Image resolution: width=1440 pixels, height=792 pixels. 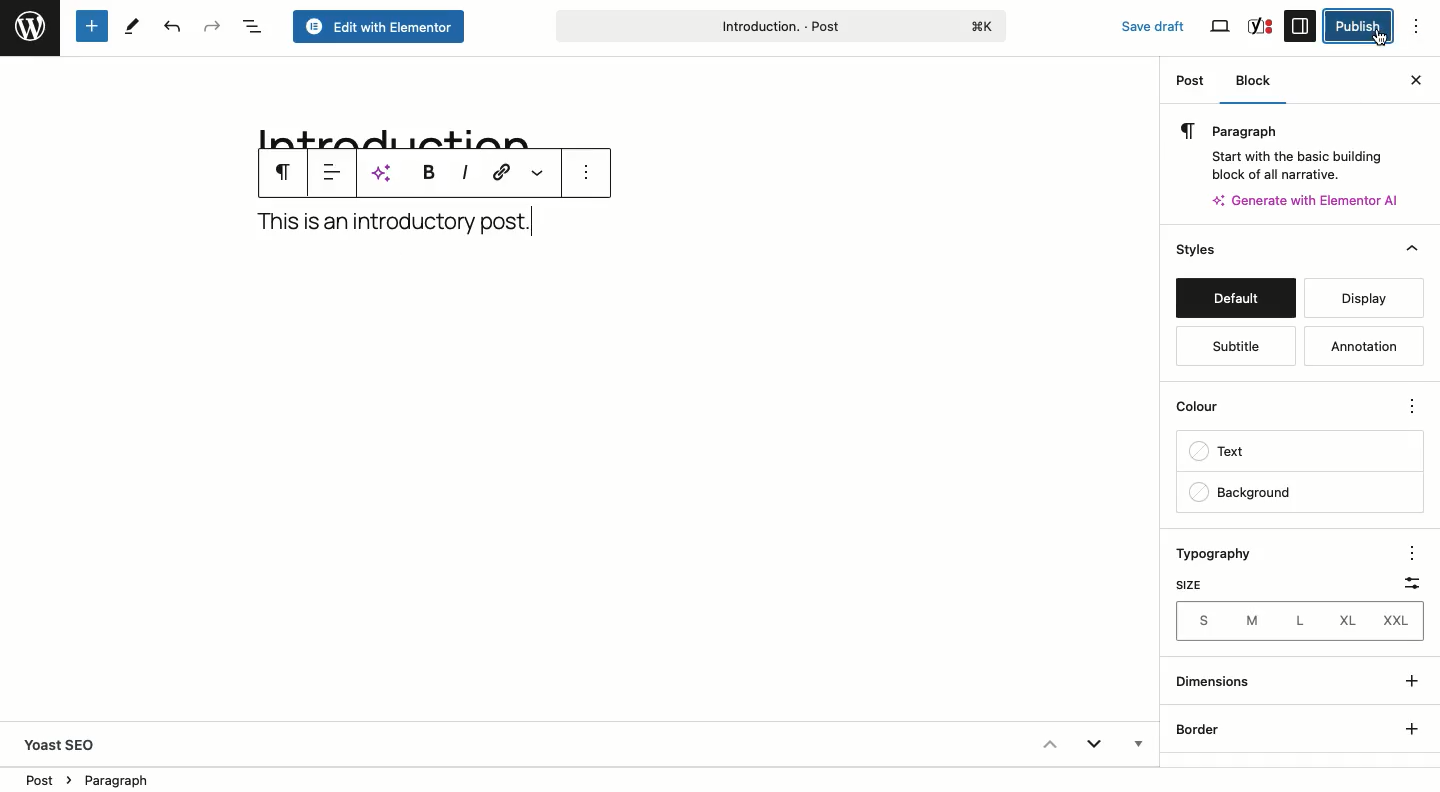 What do you see at coordinates (90, 27) in the screenshot?
I see `Add new block` at bounding box center [90, 27].